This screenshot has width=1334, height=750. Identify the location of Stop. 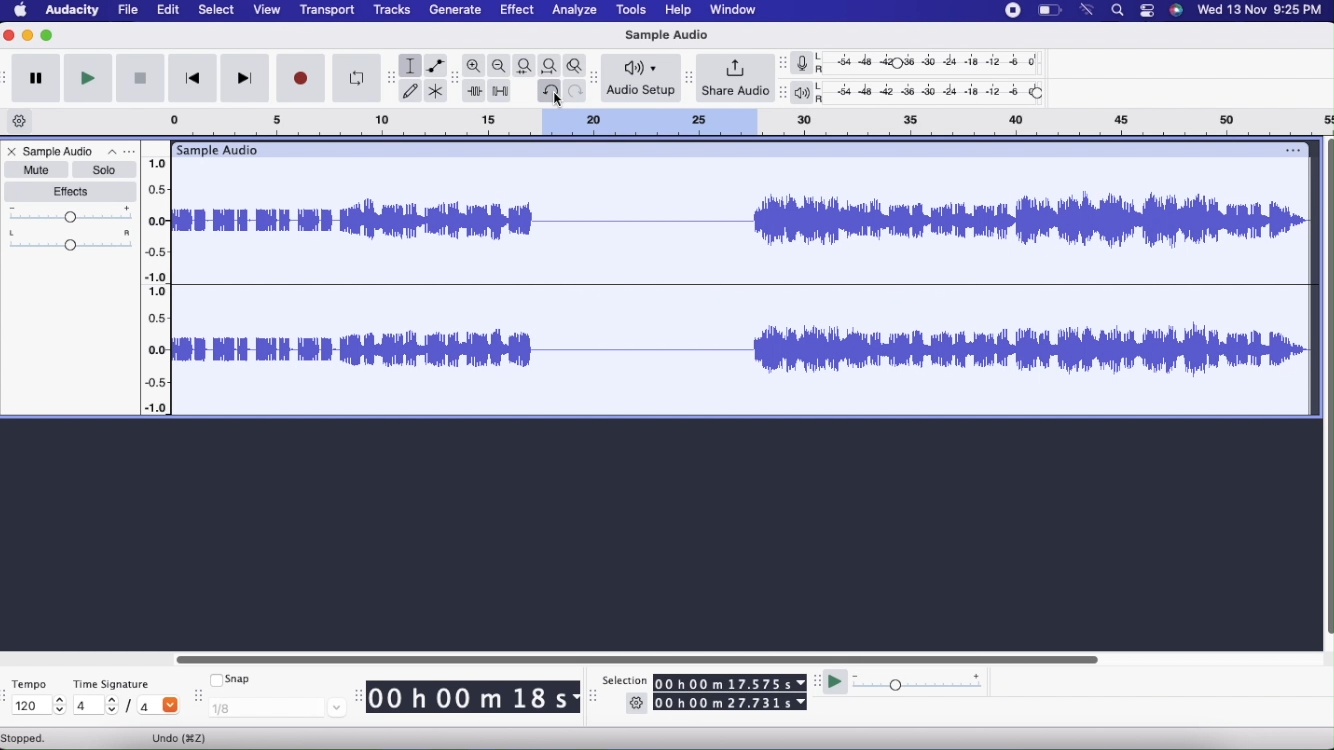
(141, 77).